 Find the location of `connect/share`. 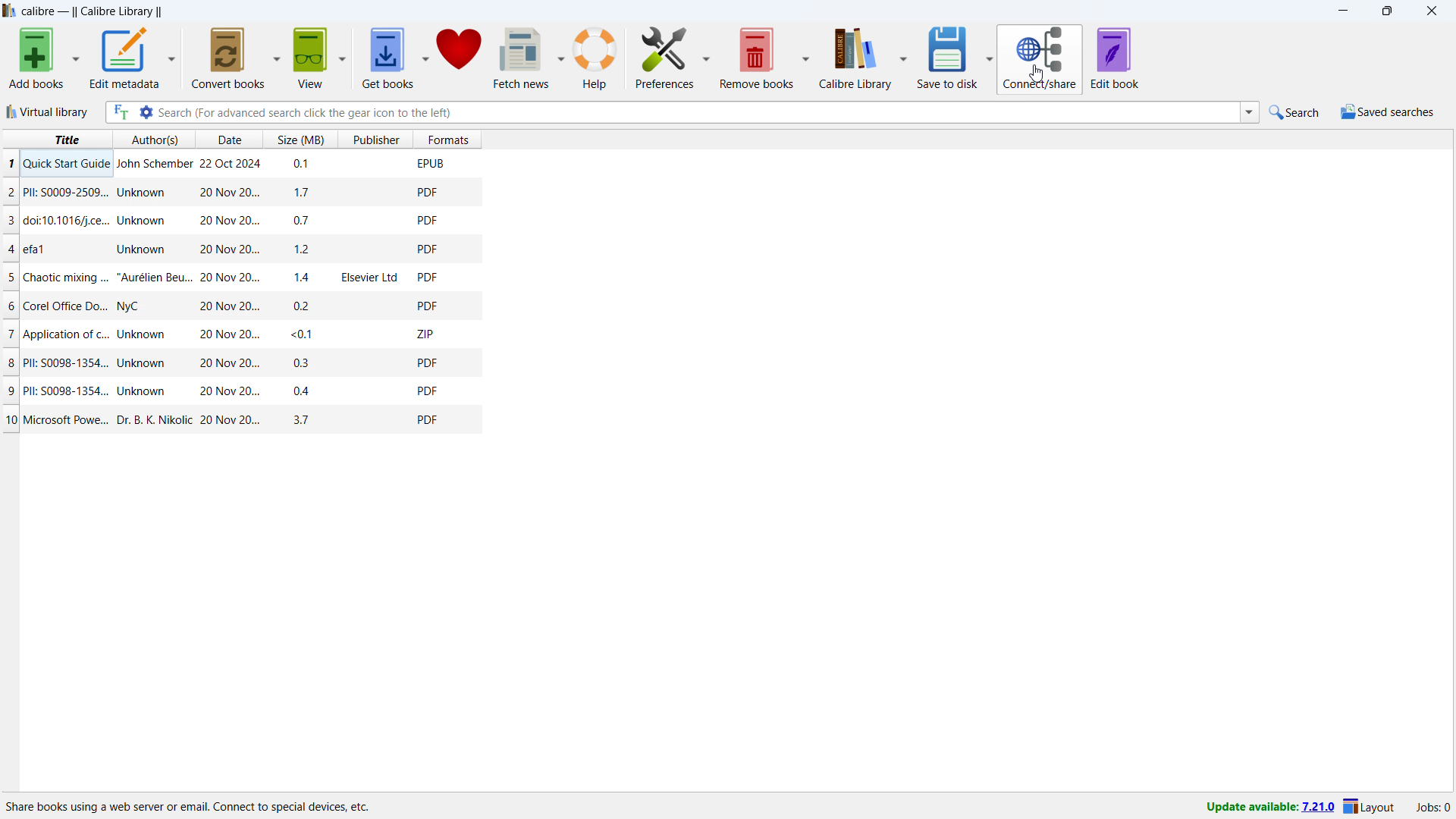

connect/share is located at coordinates (1041, 60).